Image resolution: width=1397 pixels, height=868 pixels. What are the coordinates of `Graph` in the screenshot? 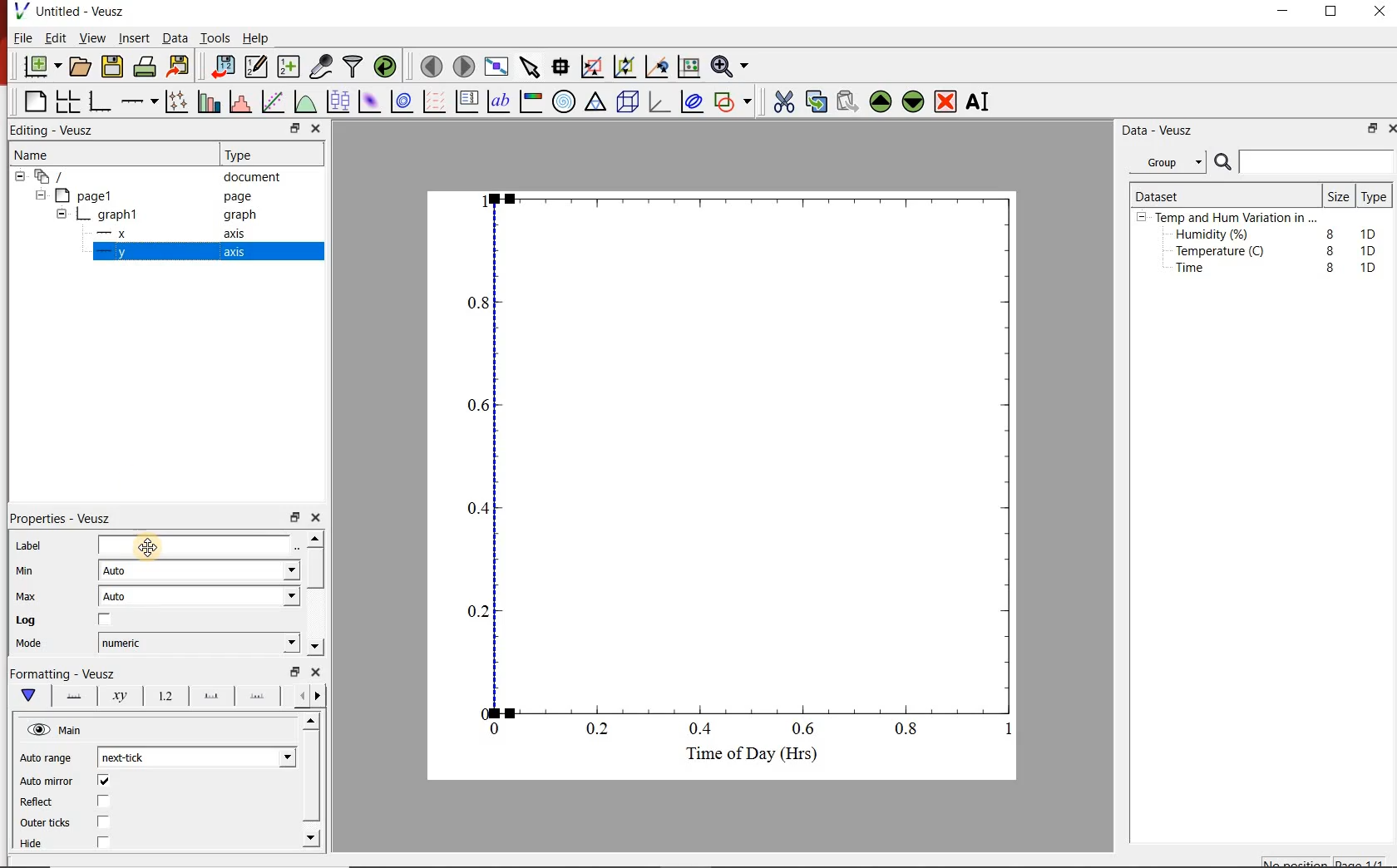 It's located at (758, 451).